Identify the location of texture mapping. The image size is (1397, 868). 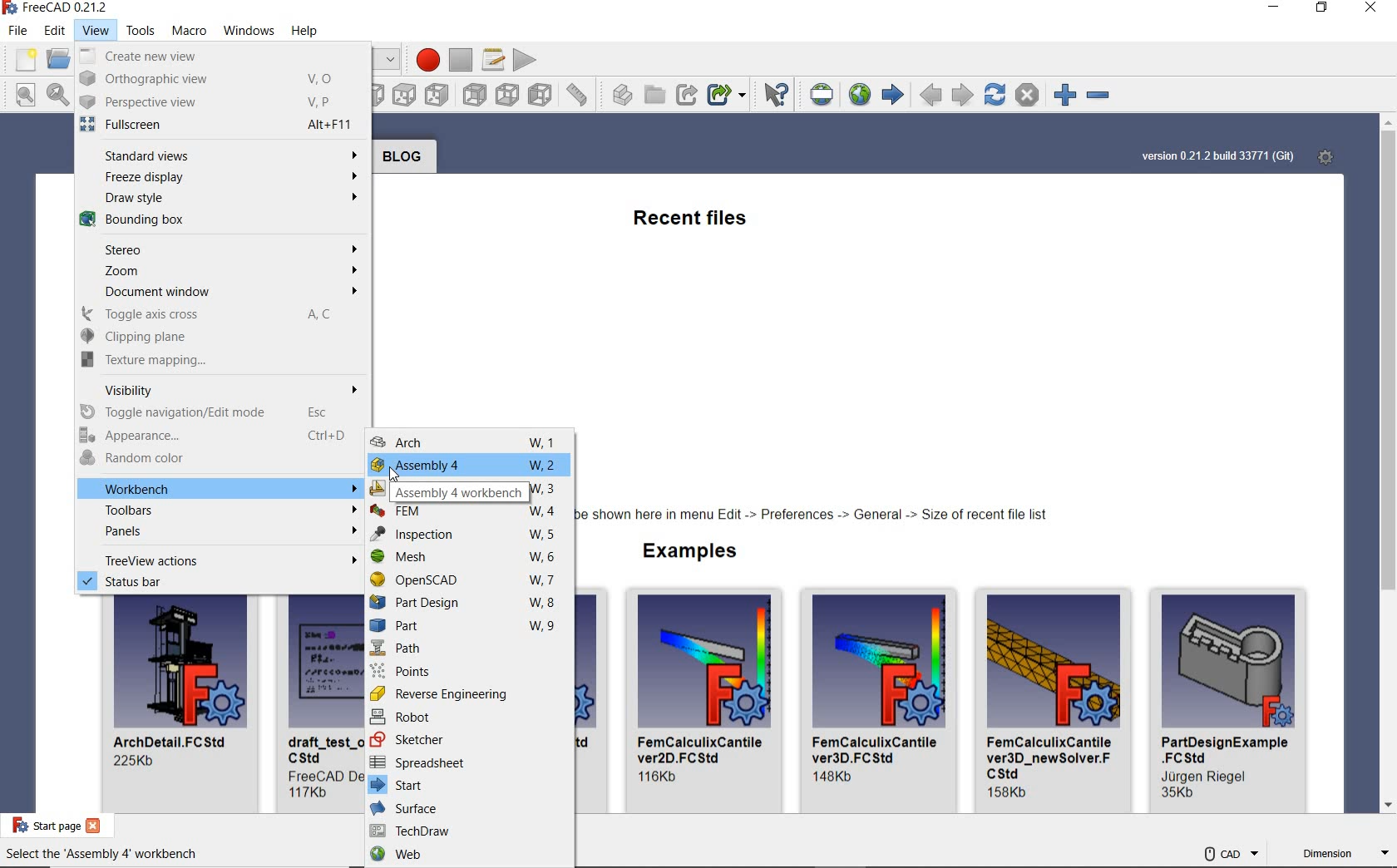
(222, 360).